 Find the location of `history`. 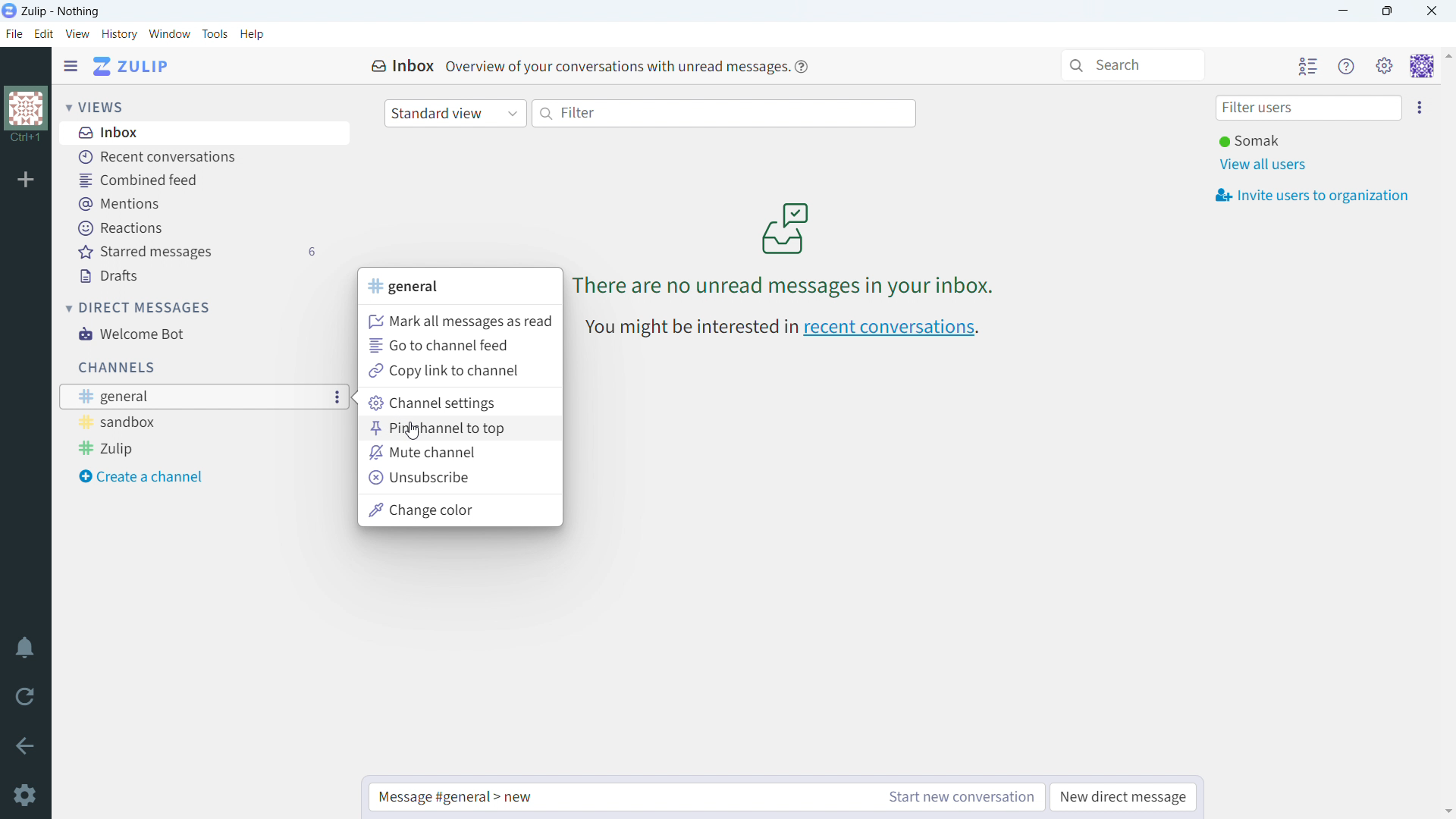

history is located at coordinates (118, 34).